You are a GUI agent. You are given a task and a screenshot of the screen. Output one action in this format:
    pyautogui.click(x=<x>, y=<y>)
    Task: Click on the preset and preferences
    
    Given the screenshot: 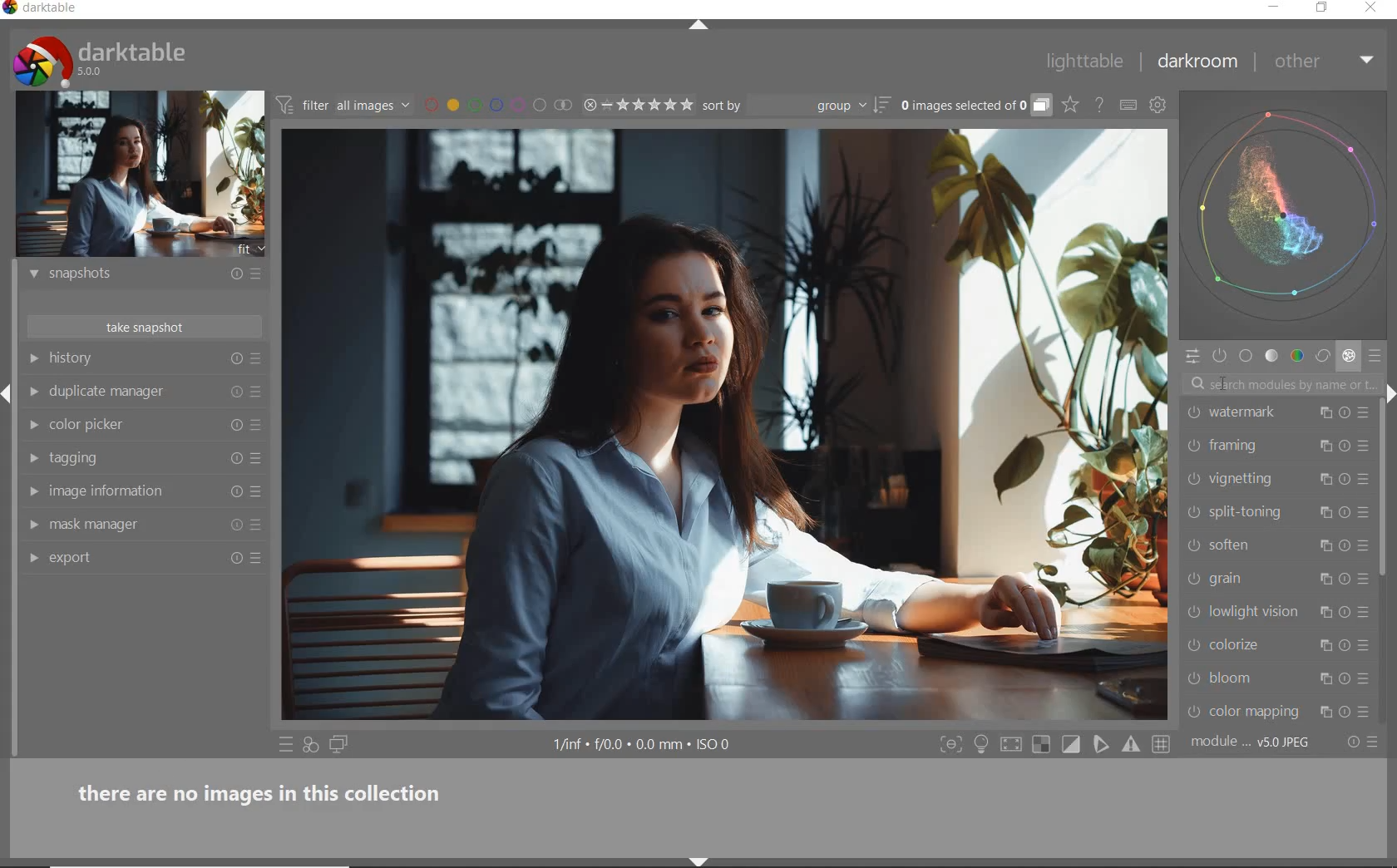 What is the action you would take?
    pyautogui.click(x=257, y=492)
    